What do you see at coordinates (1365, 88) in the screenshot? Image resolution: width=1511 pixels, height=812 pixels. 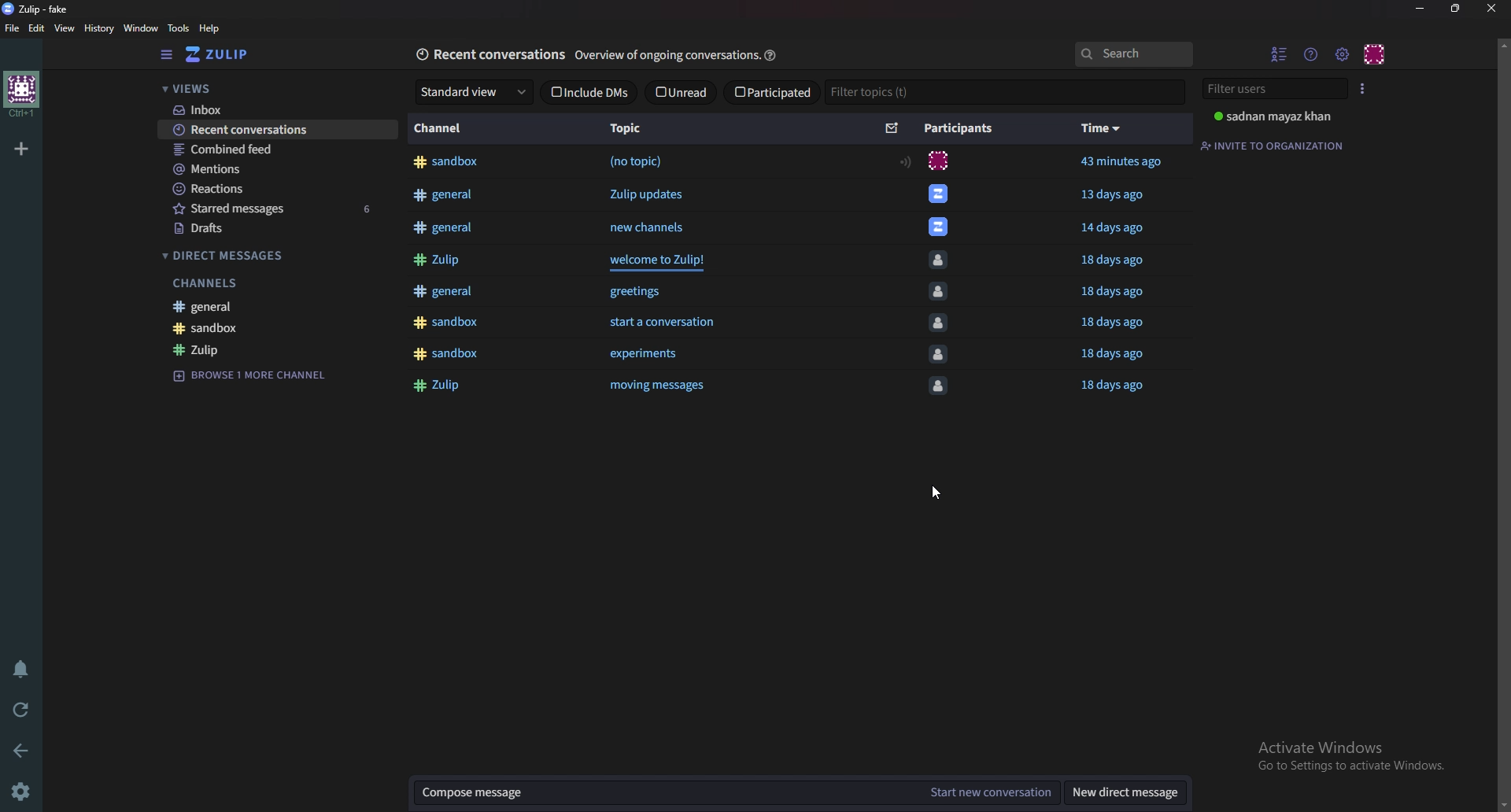 I see `User list style` at bounding box center [1365, 88].